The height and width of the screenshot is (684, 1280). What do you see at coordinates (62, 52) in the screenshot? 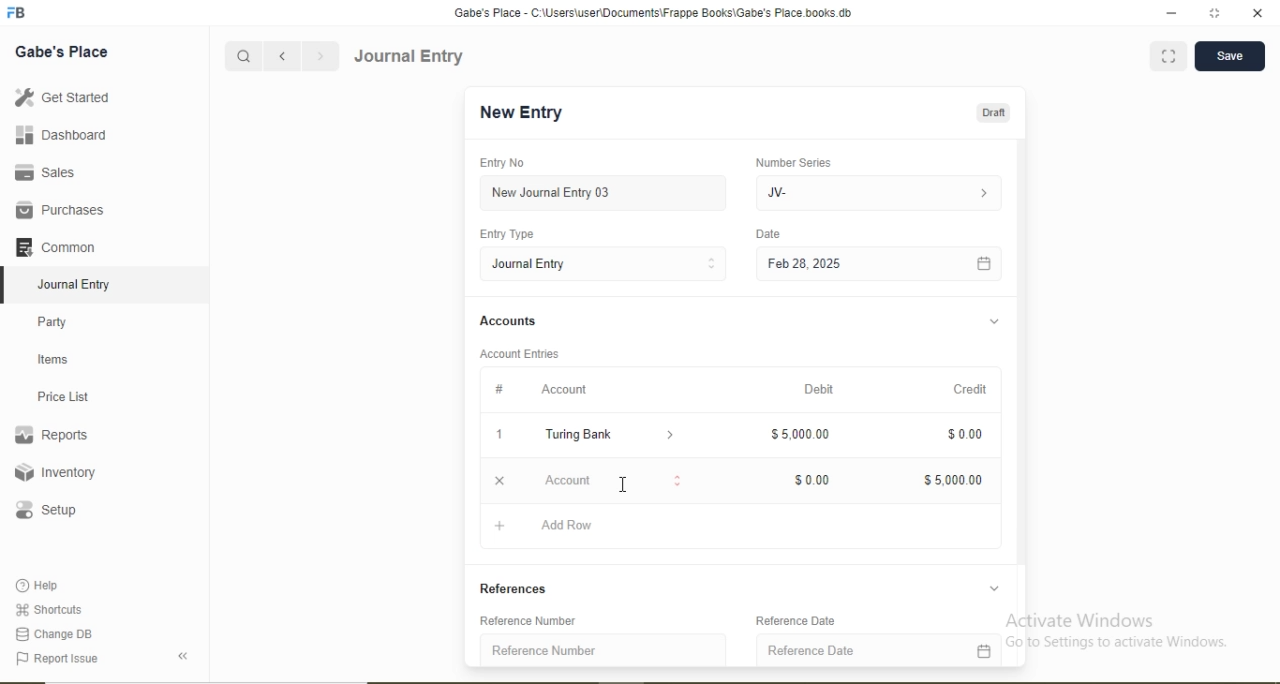
I see `Gabe's Place` at bounding box center [62, 52].